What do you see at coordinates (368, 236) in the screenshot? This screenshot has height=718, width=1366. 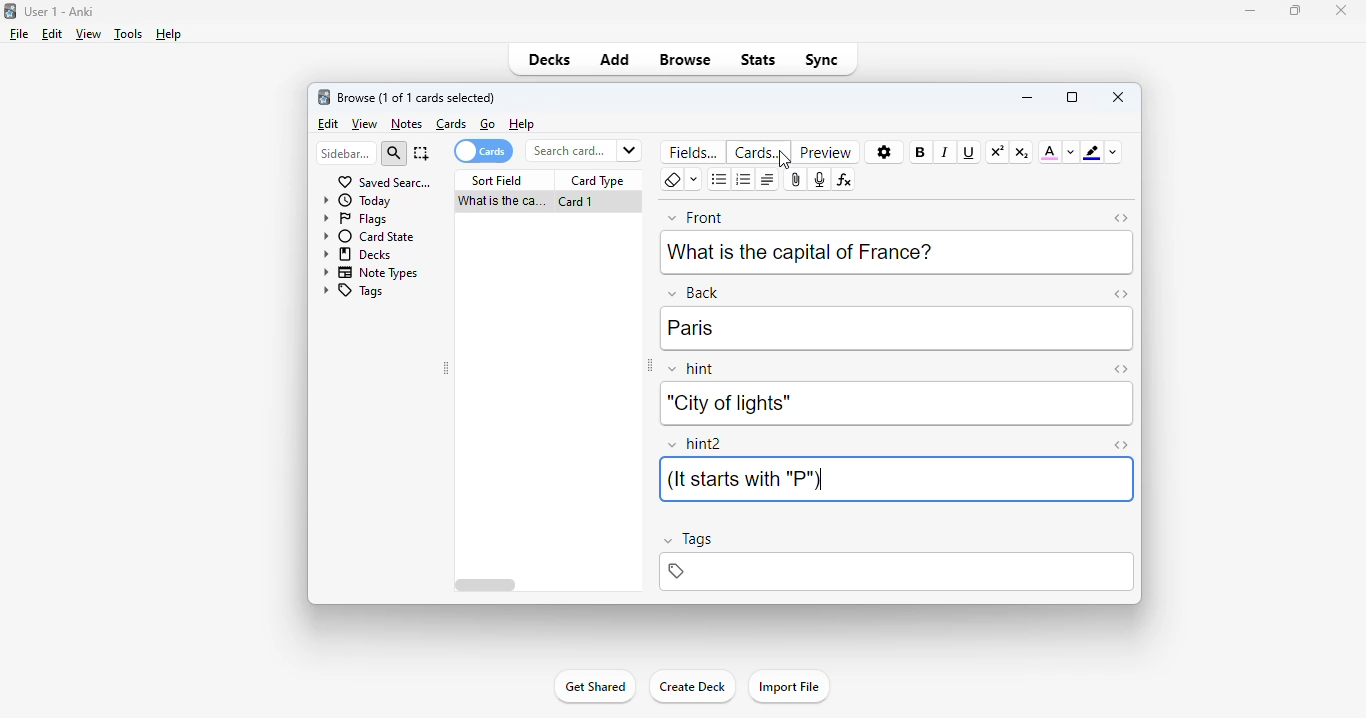 I see `card state` at bounding box center [368, 236].